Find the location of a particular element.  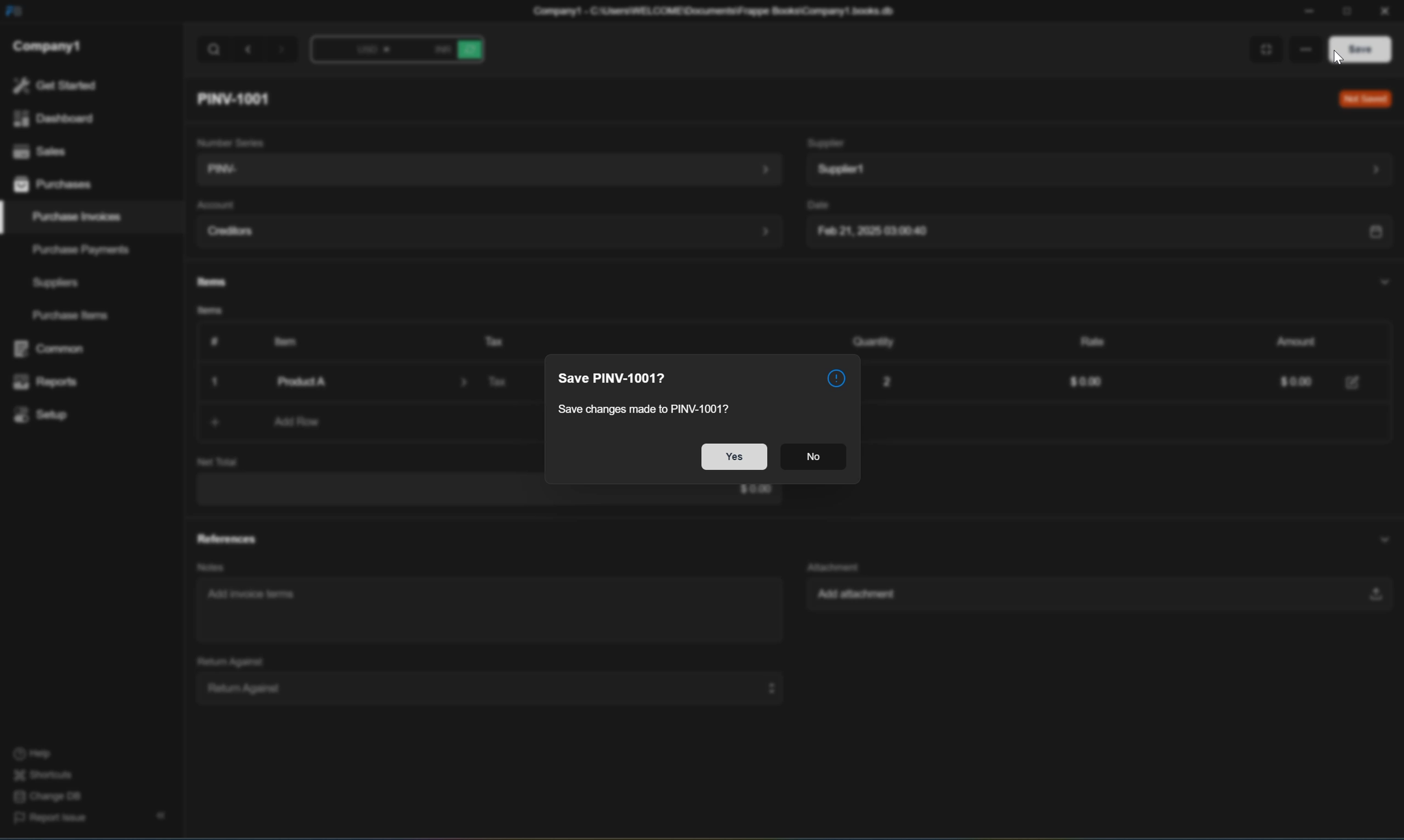

Not Saved is located at coordinates (1362, 99).